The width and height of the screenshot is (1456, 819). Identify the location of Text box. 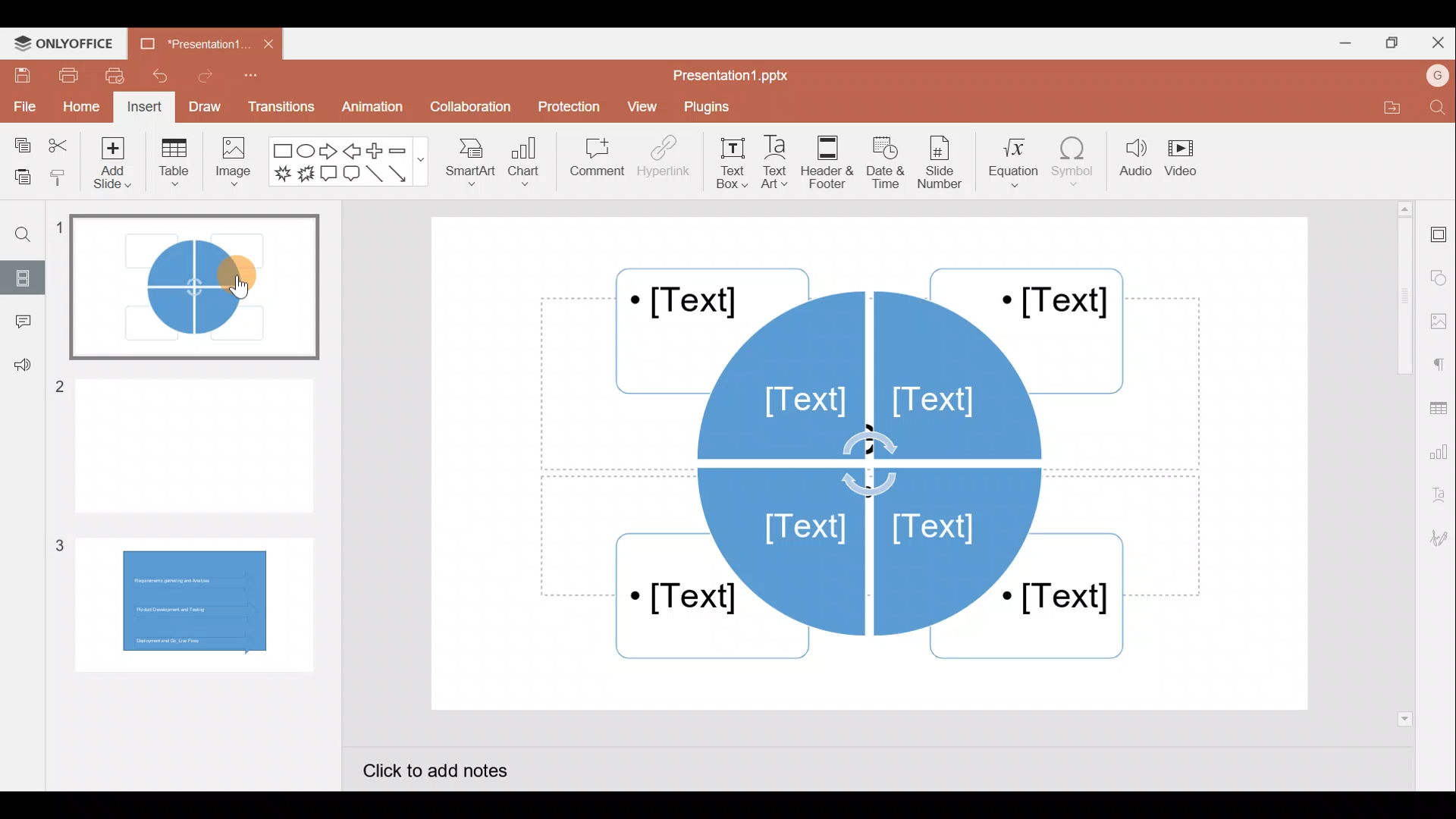
(728, 163).